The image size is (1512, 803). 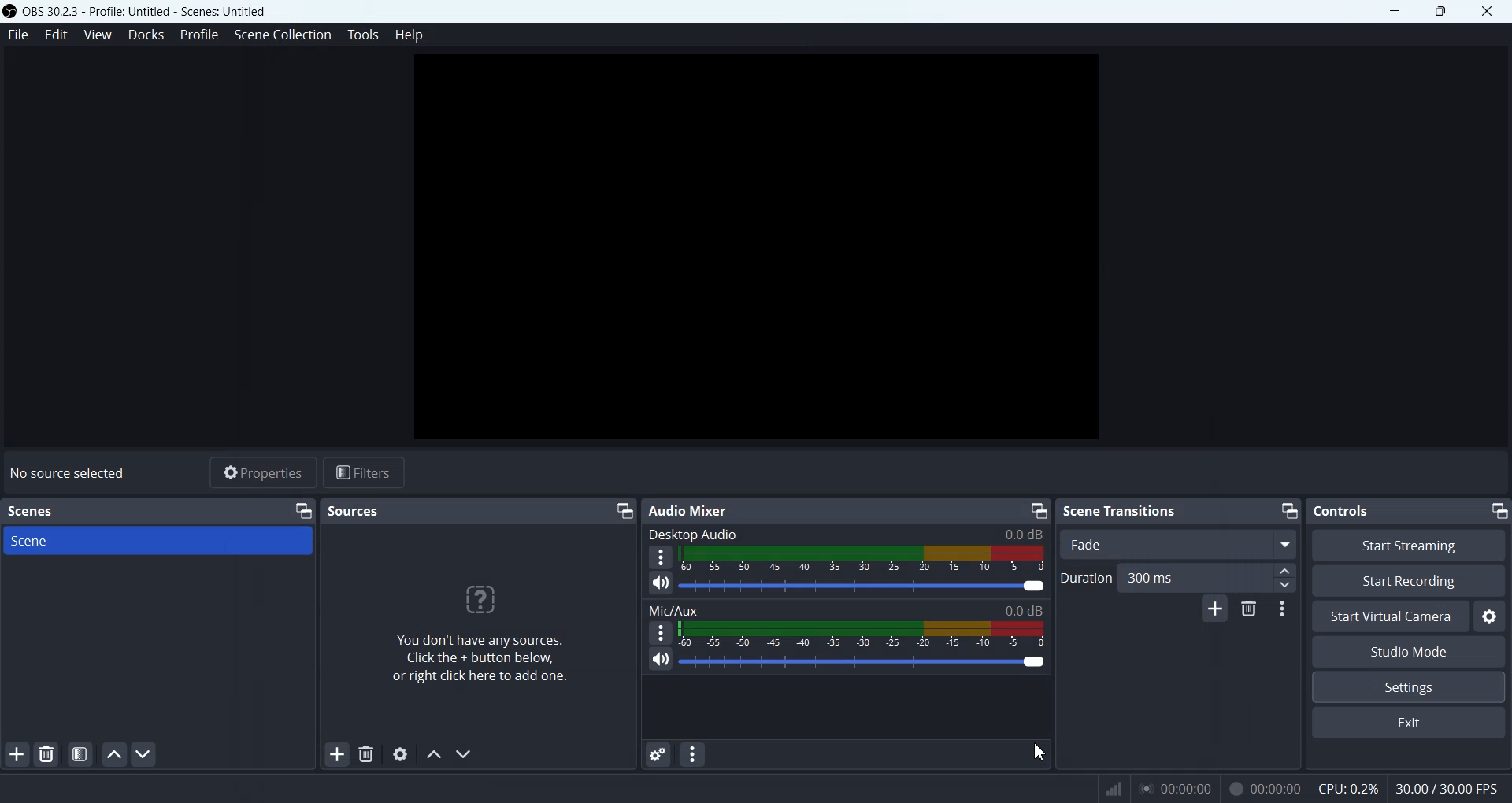 I want to click on Mute / Unmute, so click(x=660, y=583).